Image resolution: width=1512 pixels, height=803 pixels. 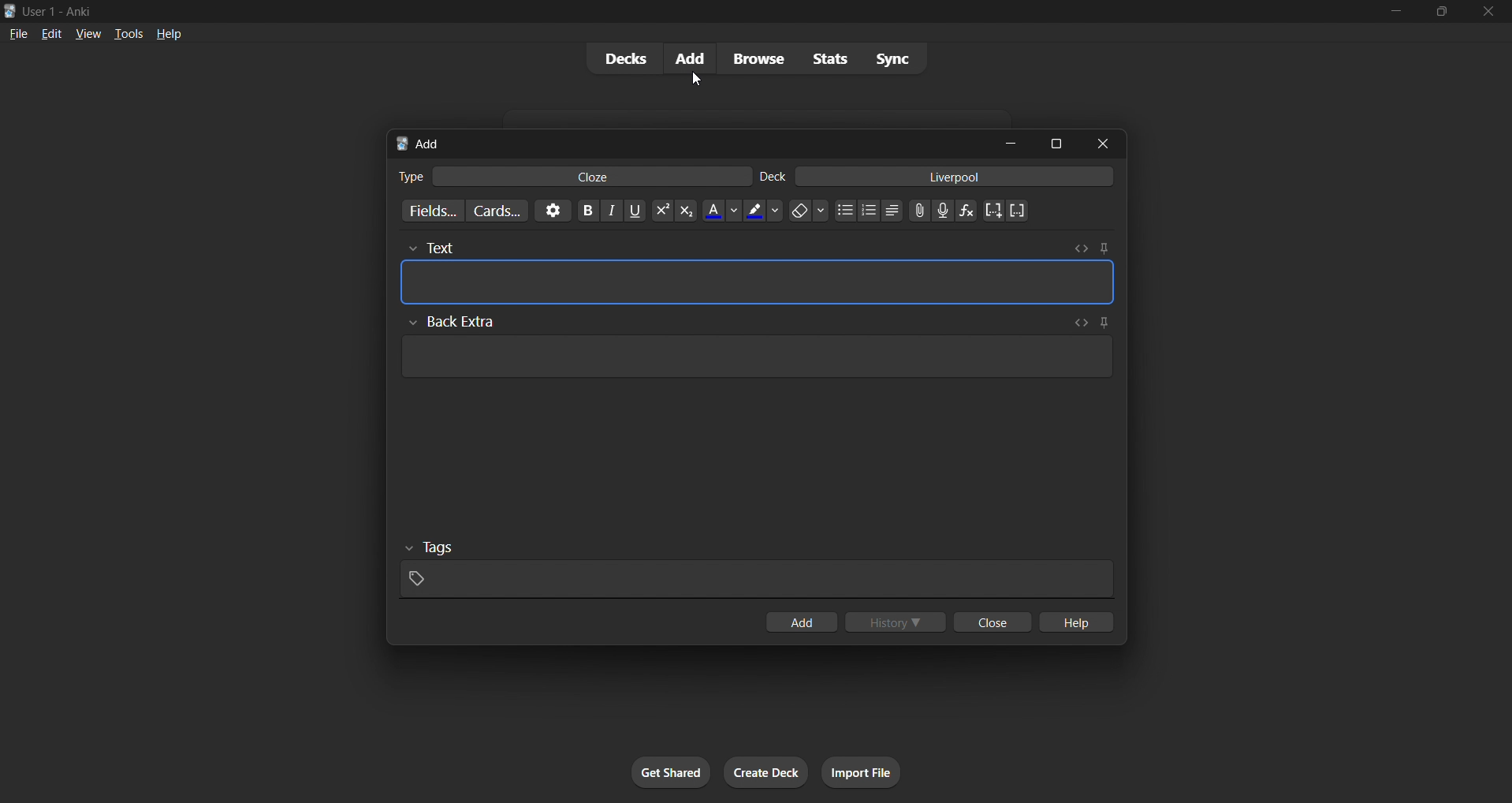 What do you see at coordinates (467, 245) in the screenshot?
I see `Text` at bounding box center [467, 245].